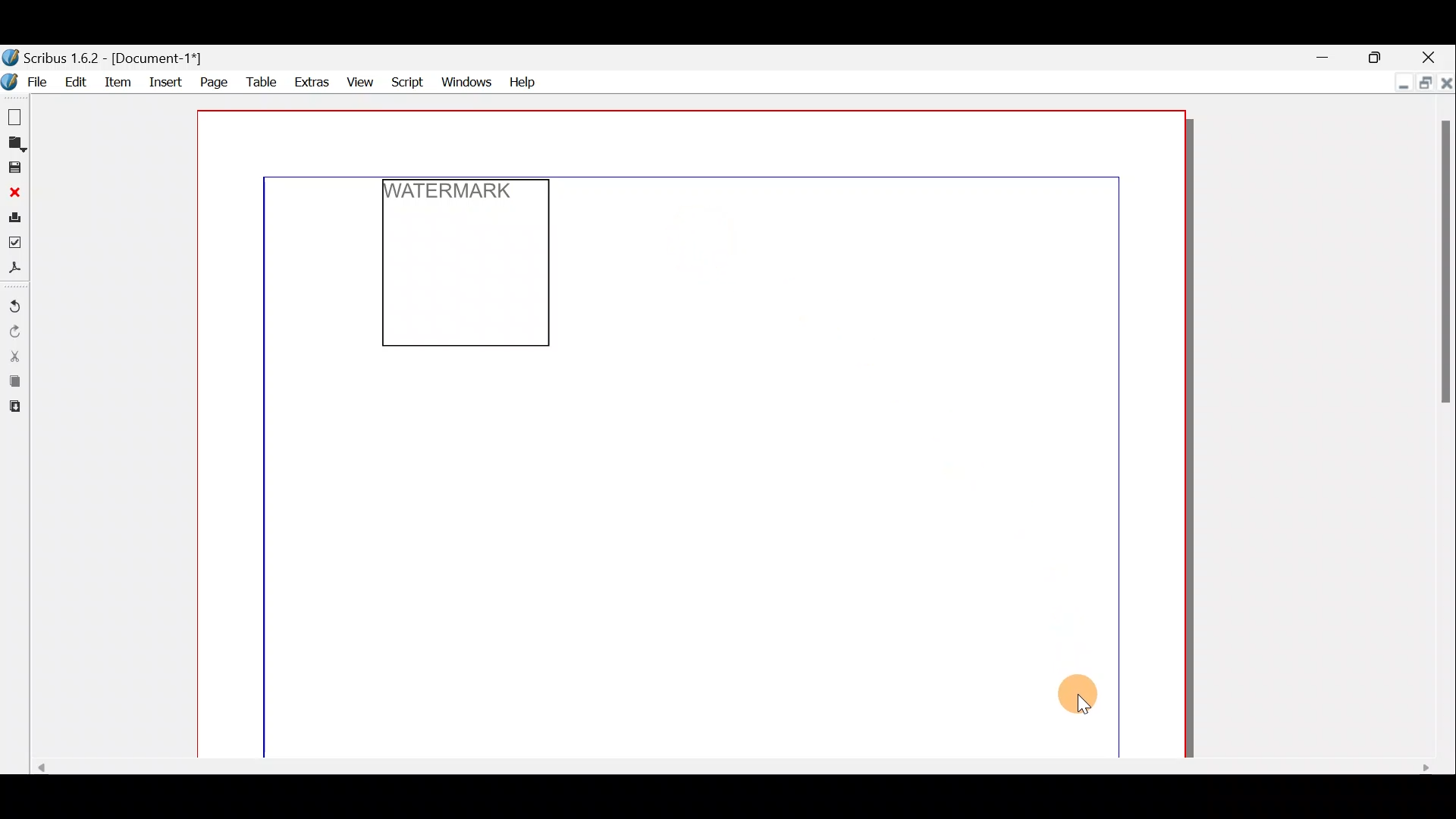 This screenshot has height=819, width=1456. I want to click on Page, so click(212, 81).